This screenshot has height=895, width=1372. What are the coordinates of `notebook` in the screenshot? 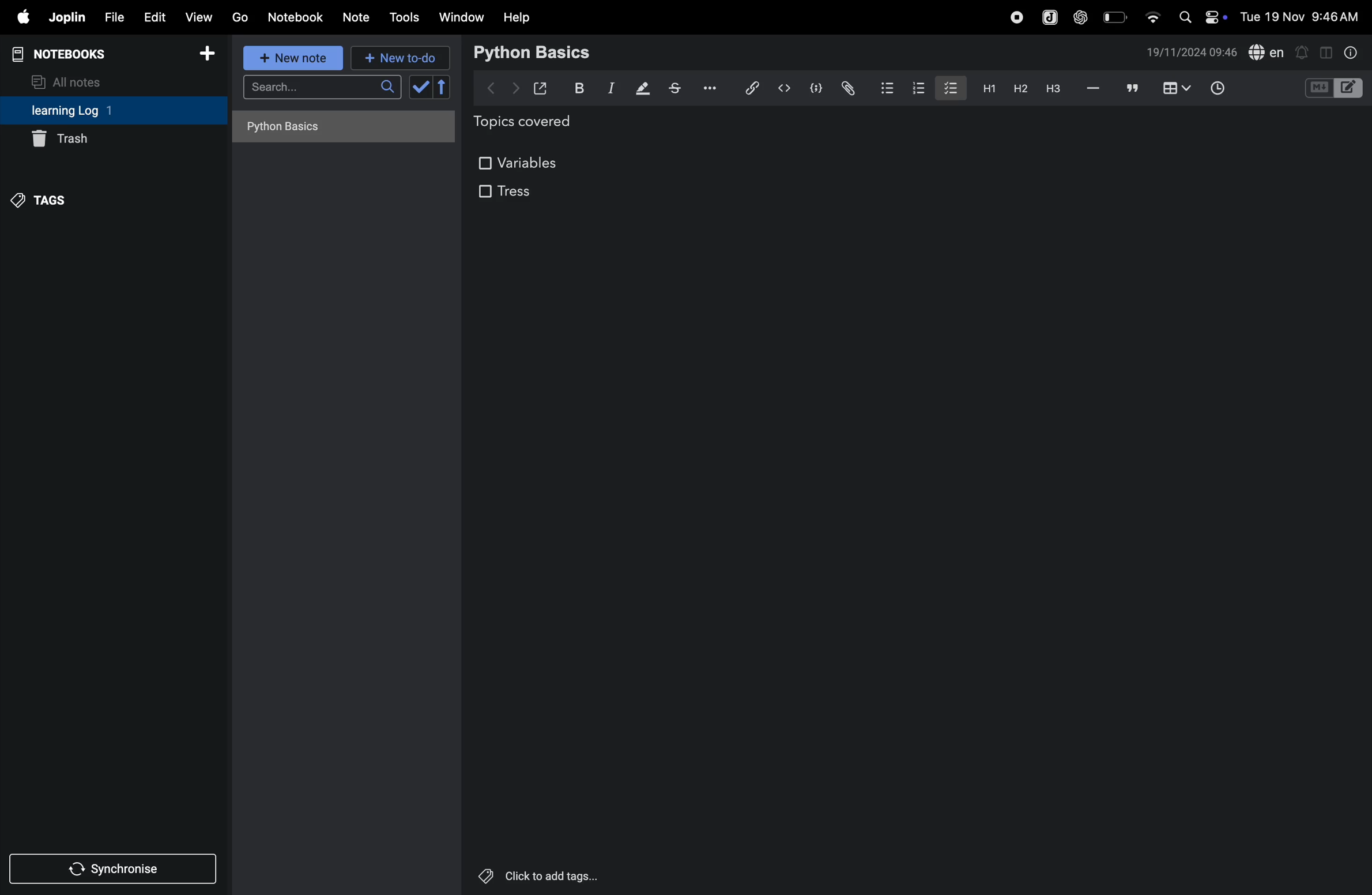 It's located at (297, 16).